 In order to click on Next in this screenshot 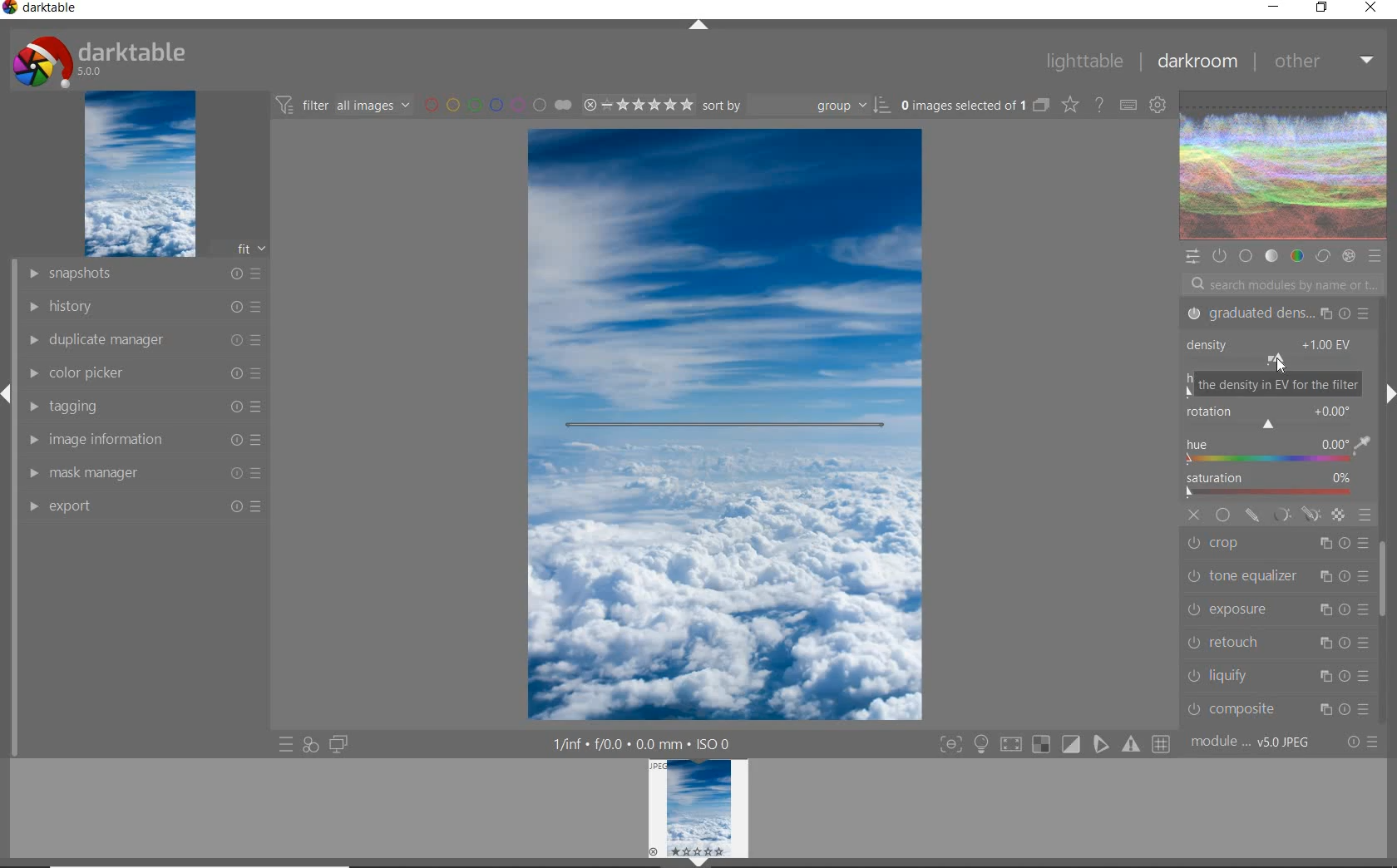, I will do `click(1389, 394)`.